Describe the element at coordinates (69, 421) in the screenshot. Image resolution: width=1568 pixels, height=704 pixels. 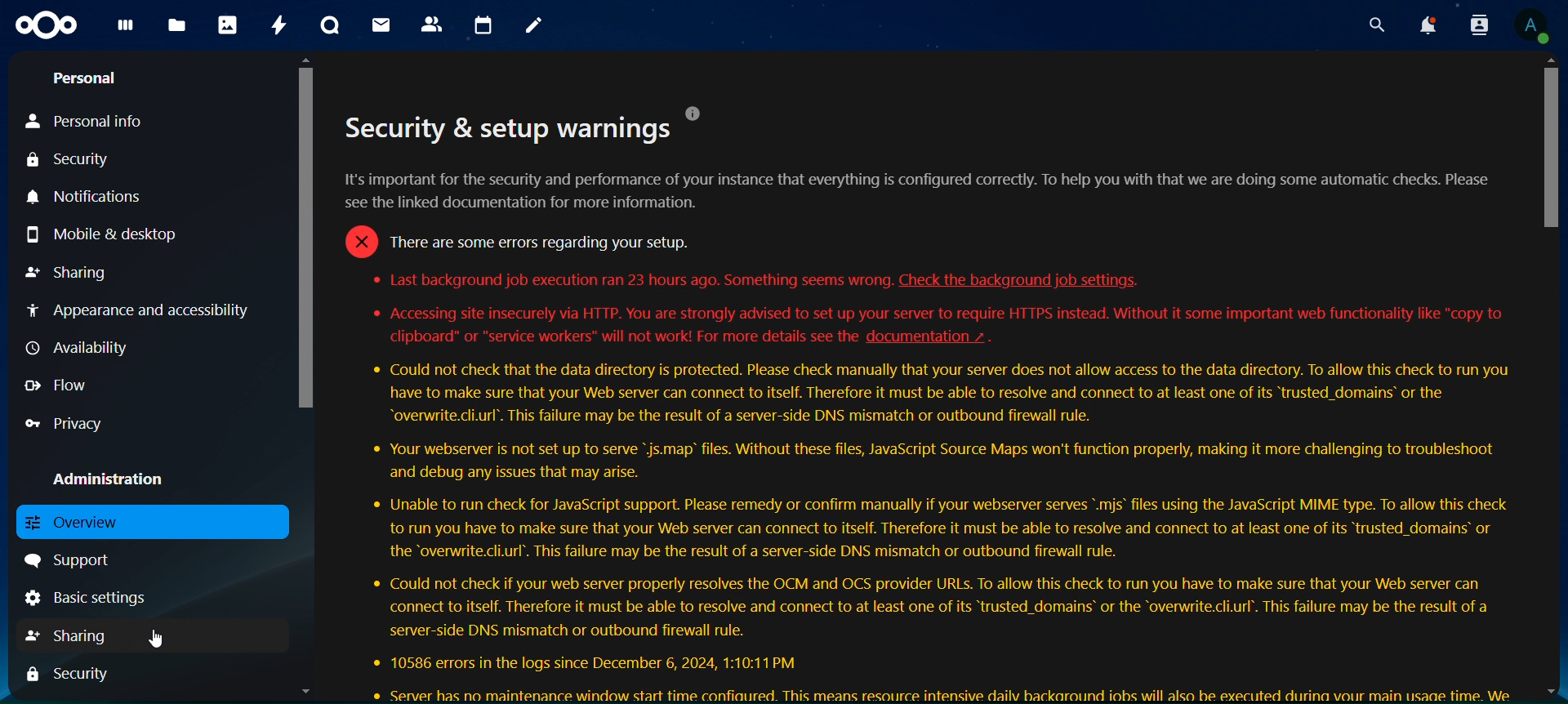
I see `privacy` at that location.